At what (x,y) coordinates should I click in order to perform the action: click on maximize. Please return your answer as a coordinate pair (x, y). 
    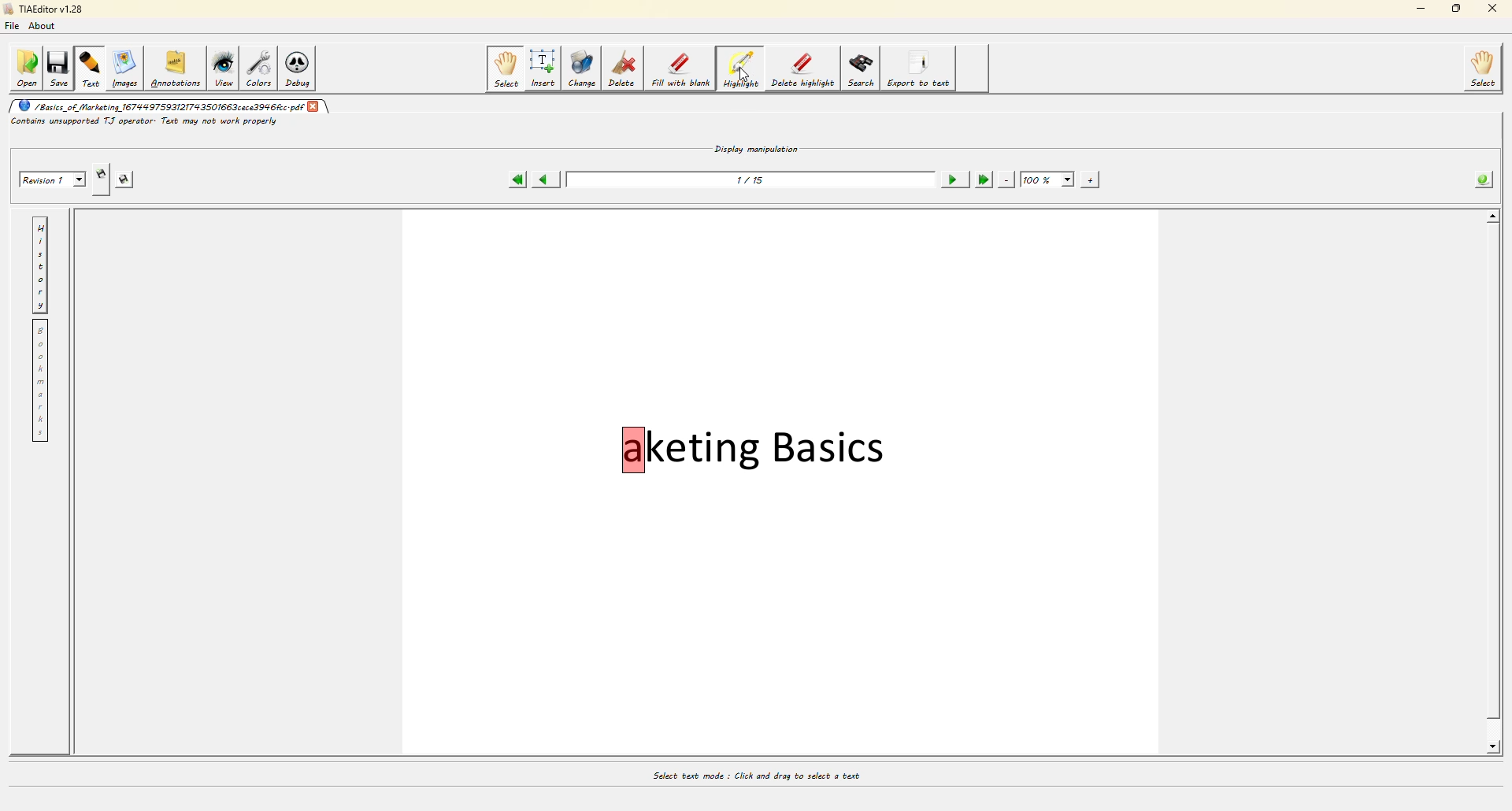
    Looking at the image, I should click on (1458, 8).